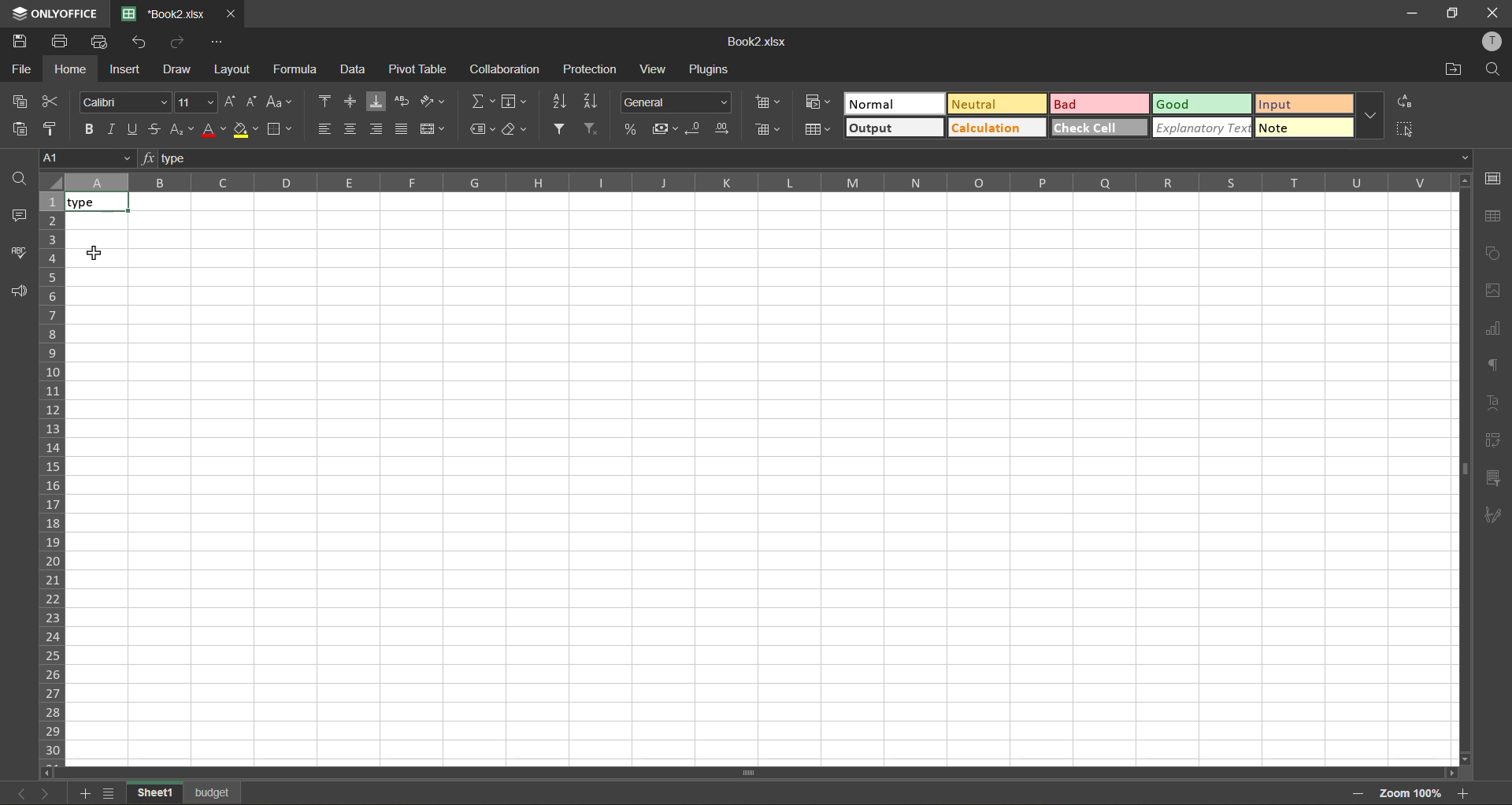  What do you see at coordinates (1408, 793) in the screenshot?
I see `zoom factor` at bounding box center [1408, 793].